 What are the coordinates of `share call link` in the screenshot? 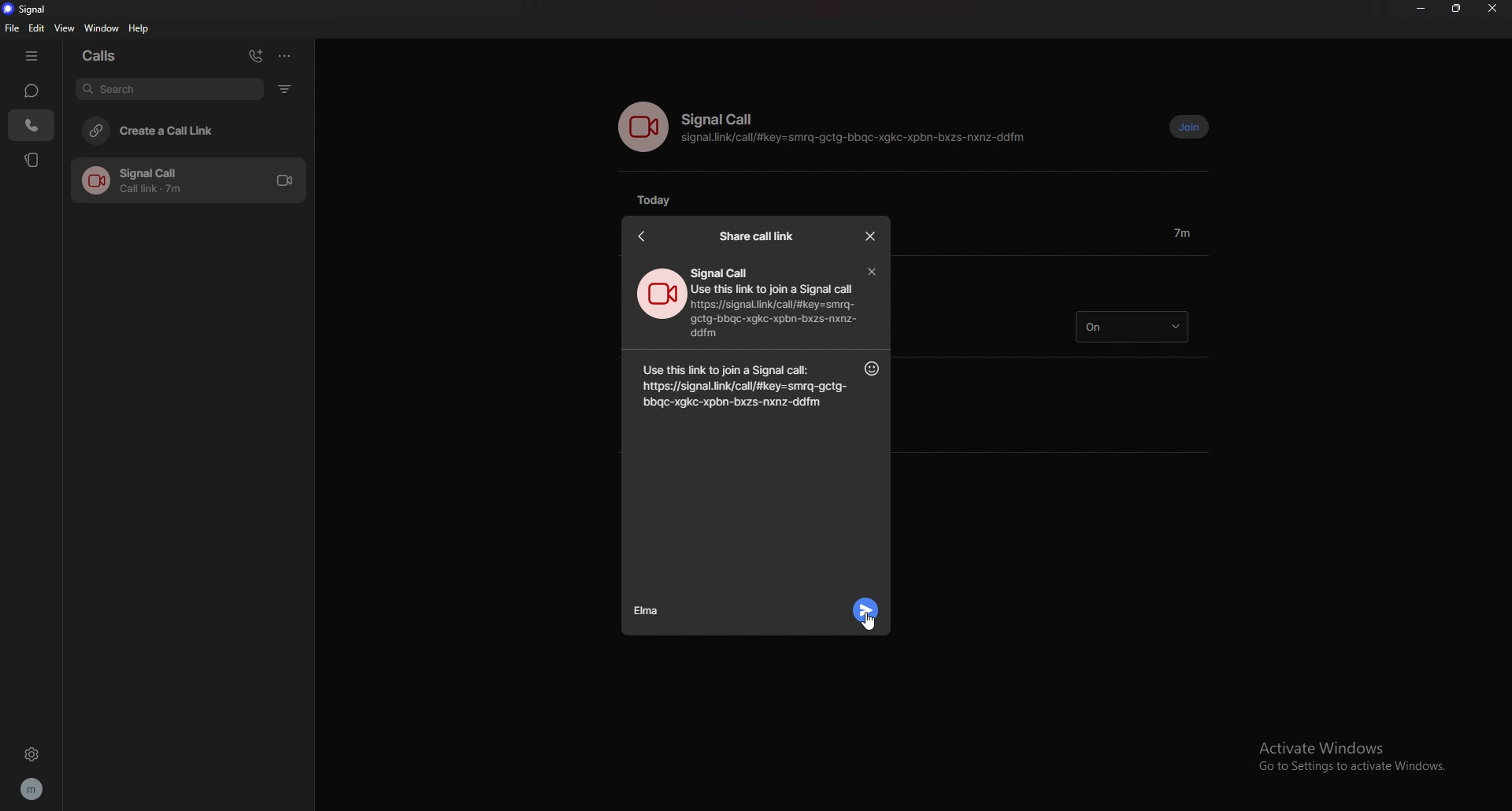 It's located at (757, 236).